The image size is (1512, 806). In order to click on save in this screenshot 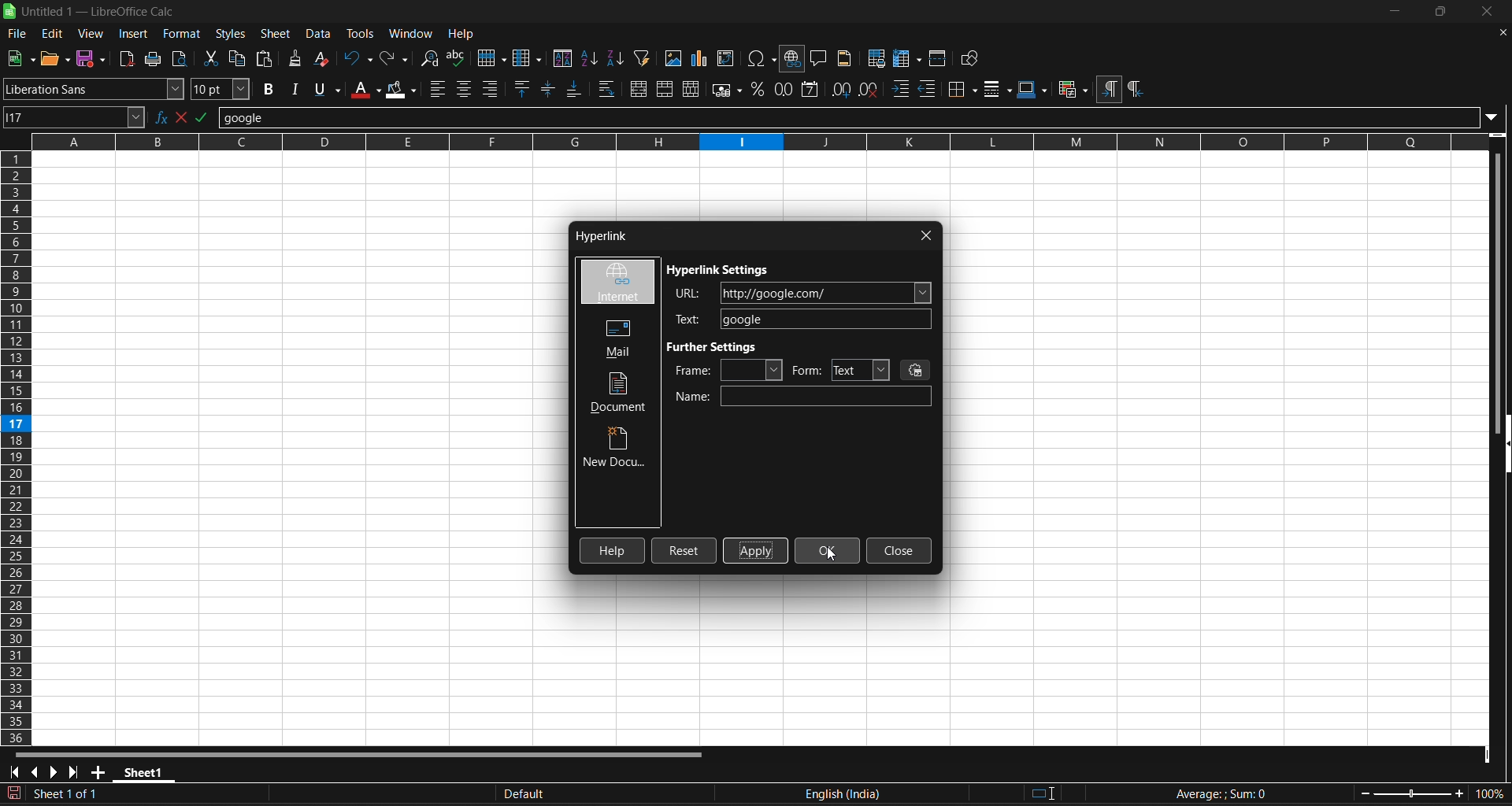, I will do `click(92, 59)`.